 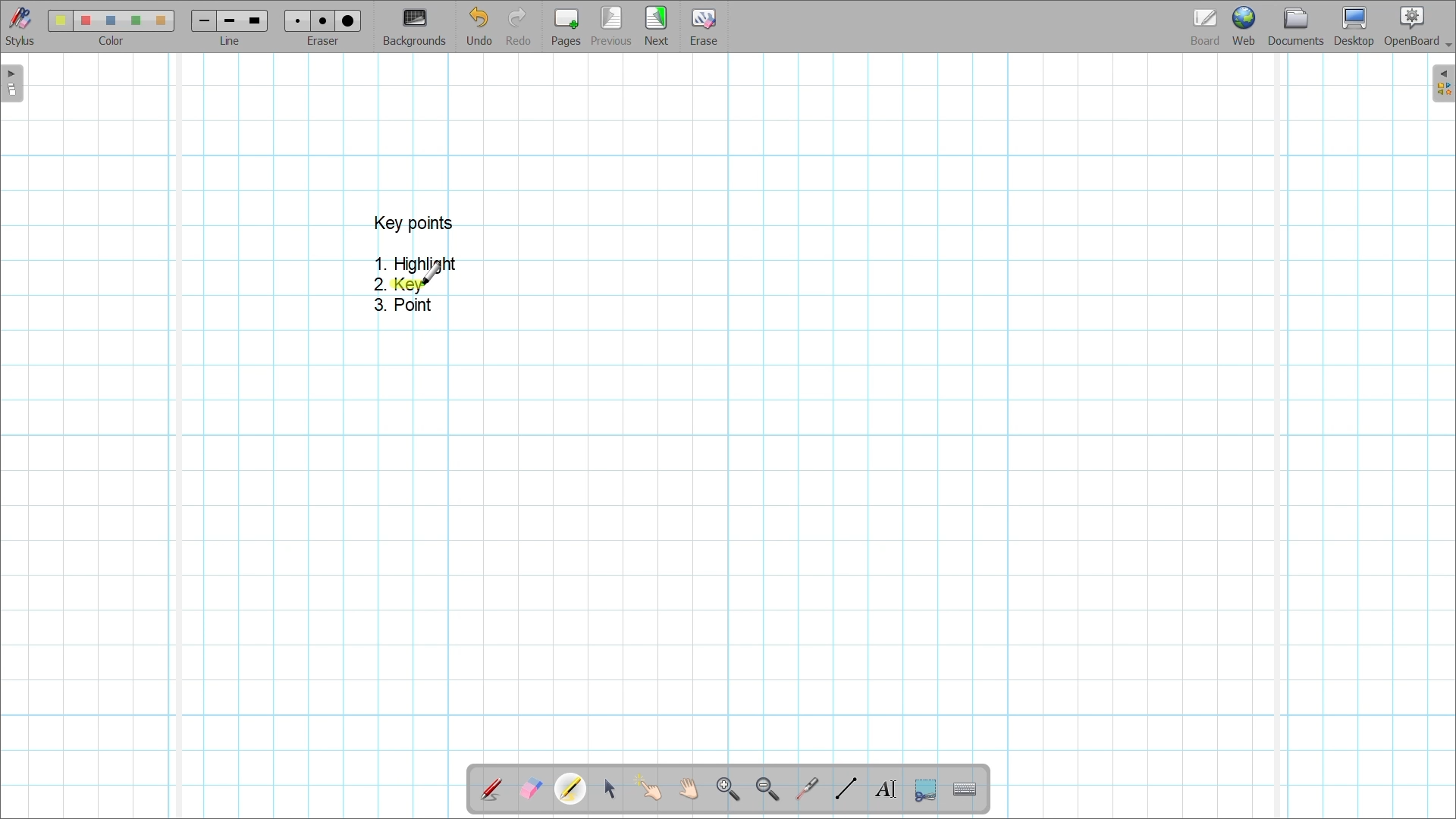 I want to click on line 3, so click(x=253, y=20).